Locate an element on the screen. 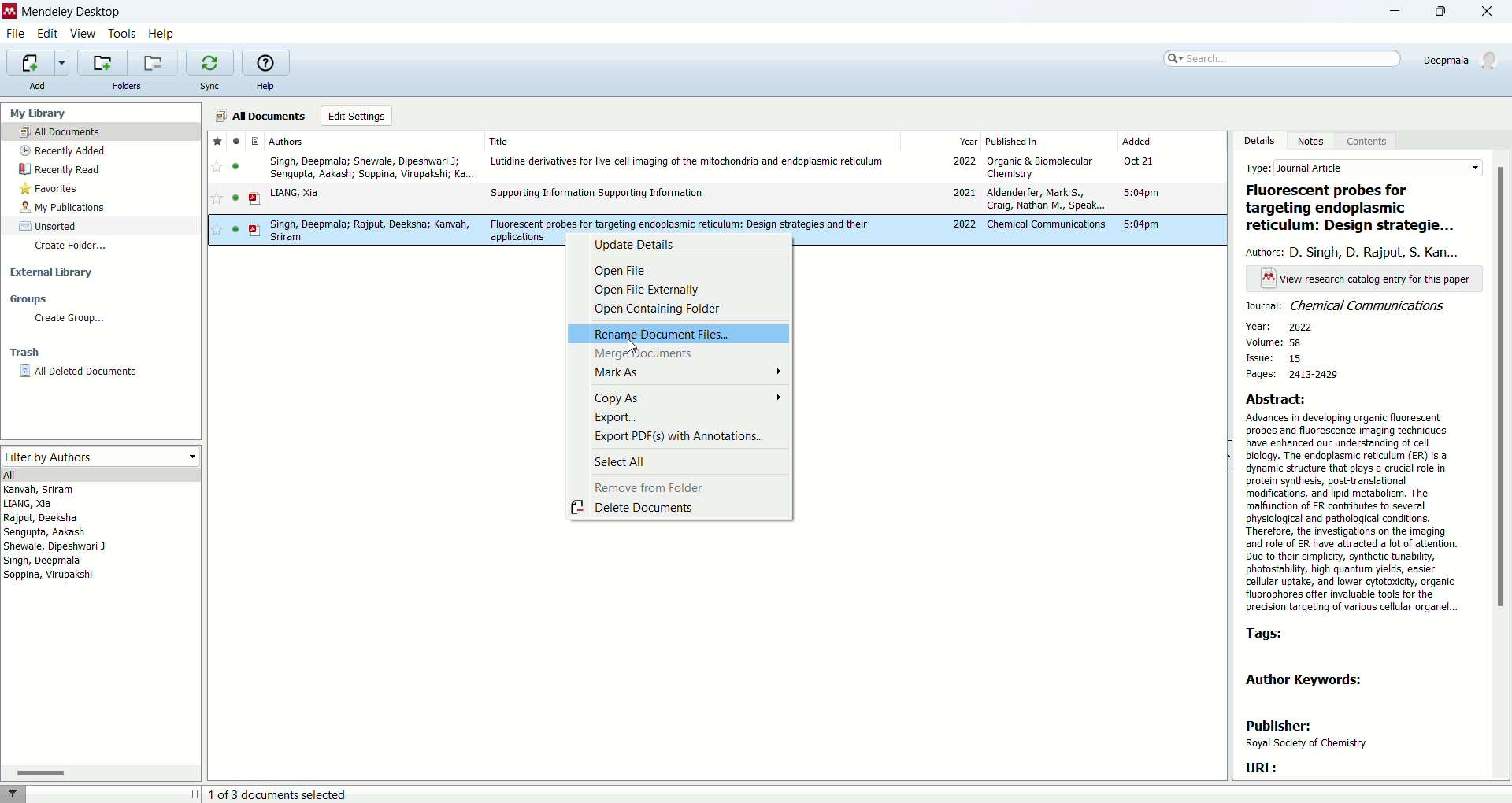 This screenshot has width=1512, height=803. favorite is located at coordinates (217, 140).